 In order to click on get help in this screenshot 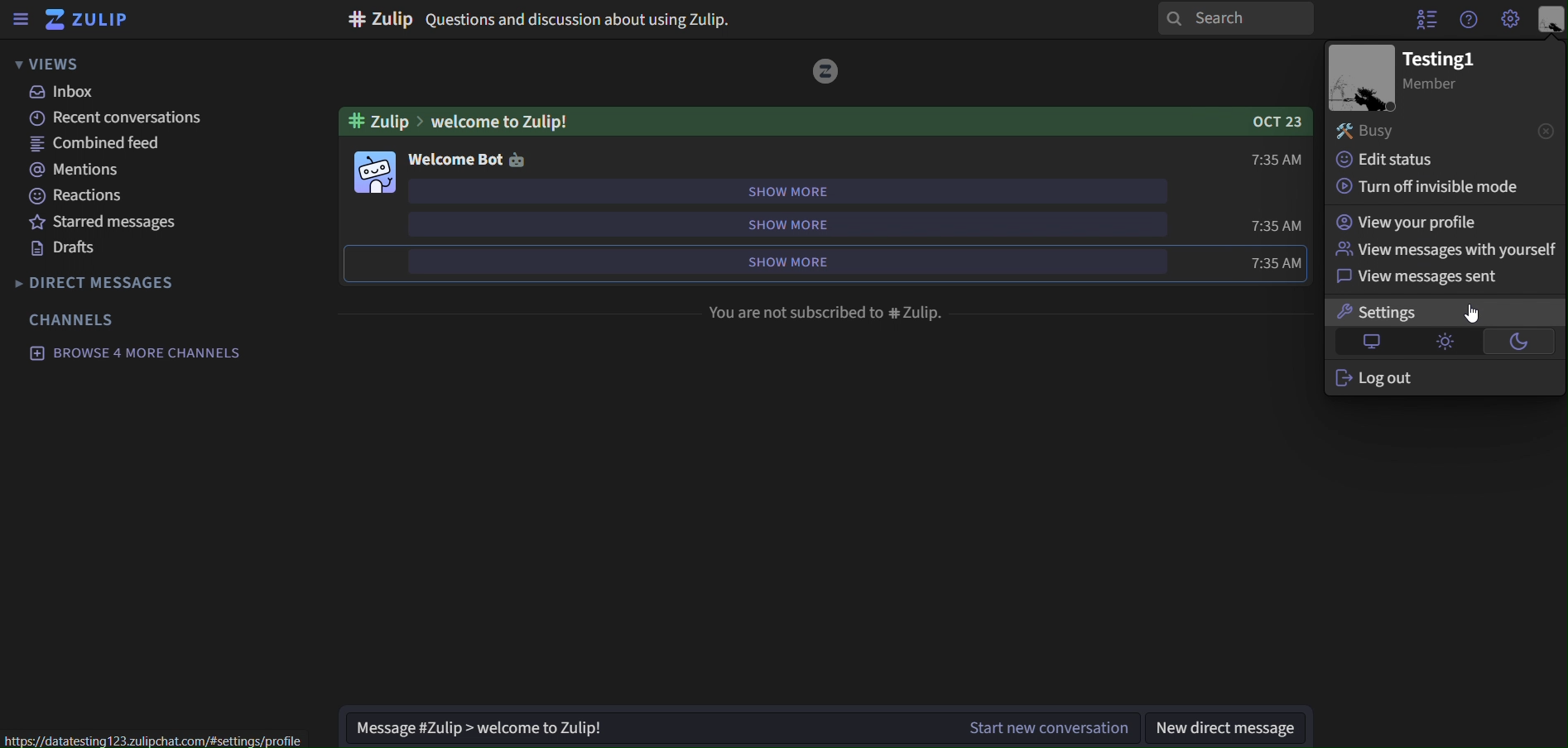, I will do `click(1468, 23)`.